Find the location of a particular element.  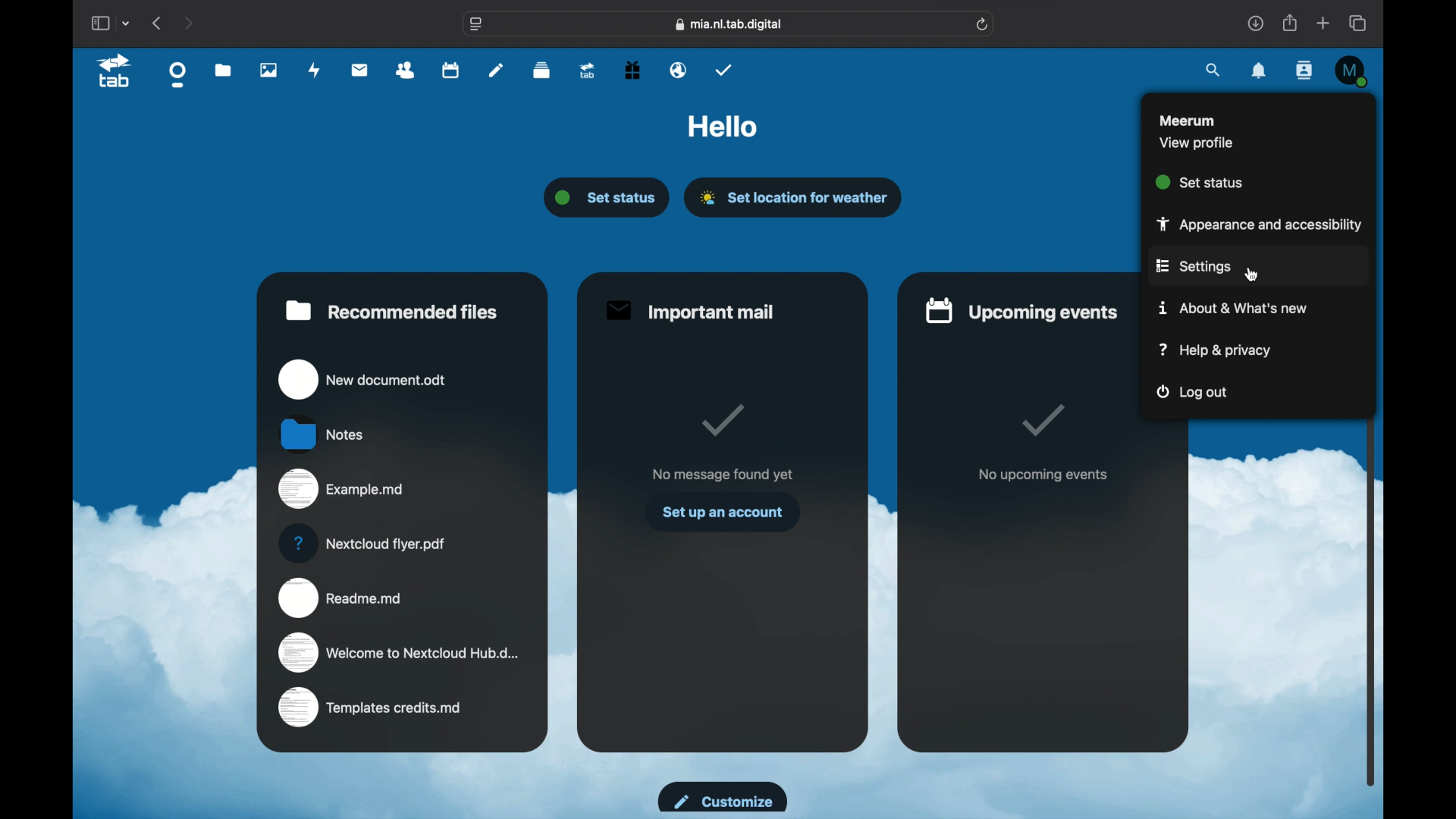

contacts is located at coordinates (406, 71).